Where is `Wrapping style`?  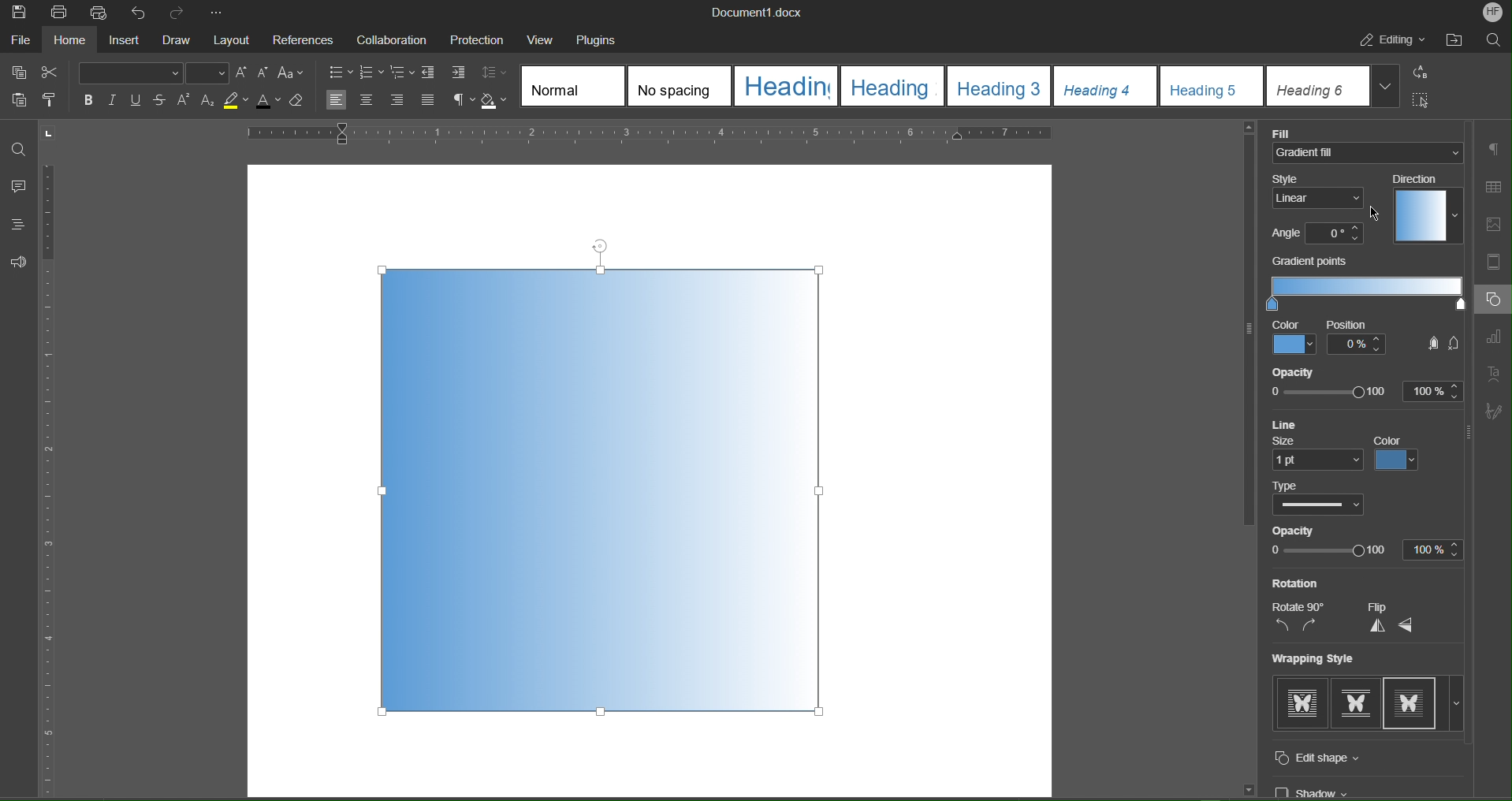 Wrapping style is located at coordinates (1317, 660).